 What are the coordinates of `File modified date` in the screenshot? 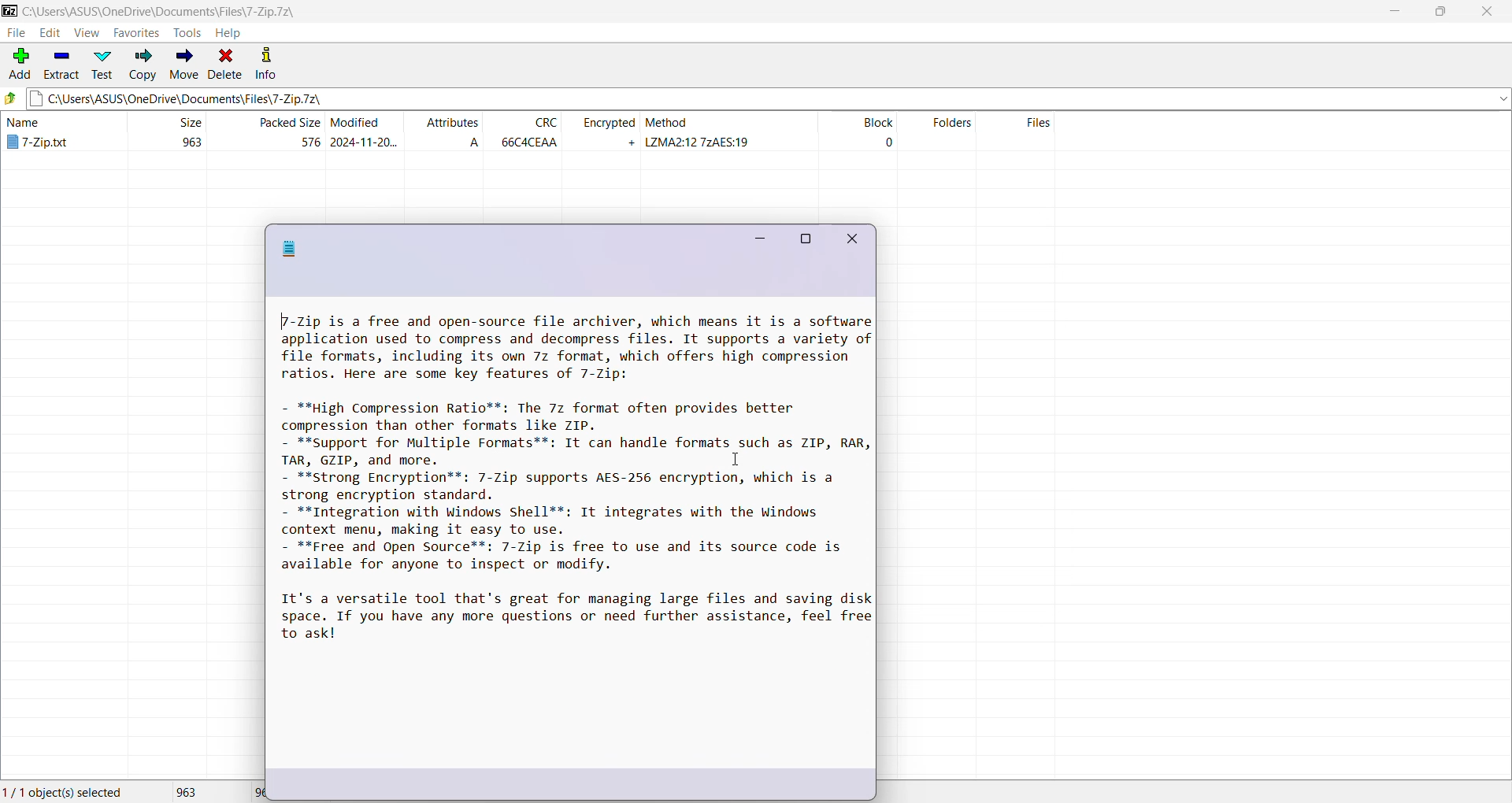 It's located at (365, 132).